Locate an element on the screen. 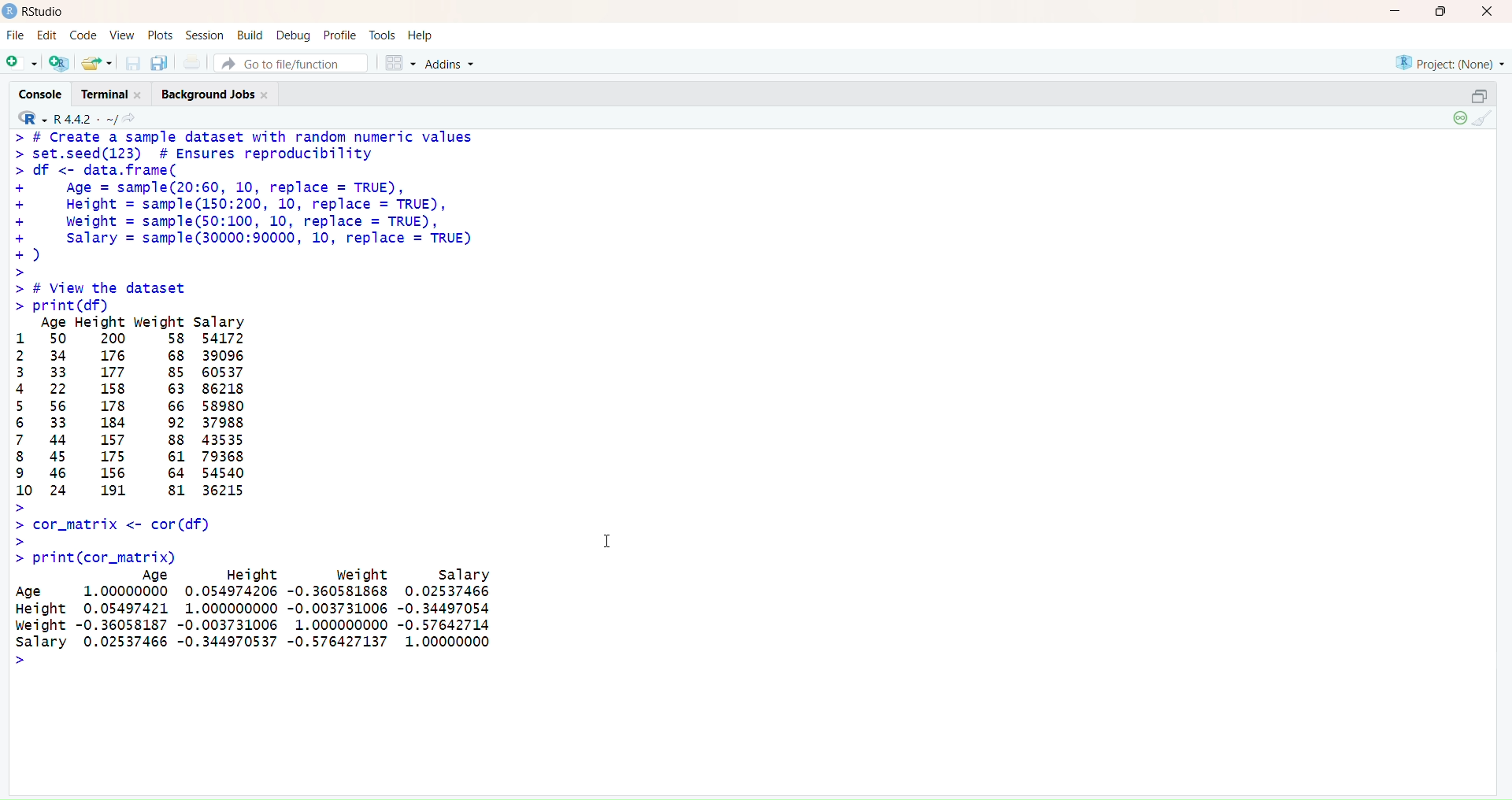  Maximize is located at coordinates (1441, 12).